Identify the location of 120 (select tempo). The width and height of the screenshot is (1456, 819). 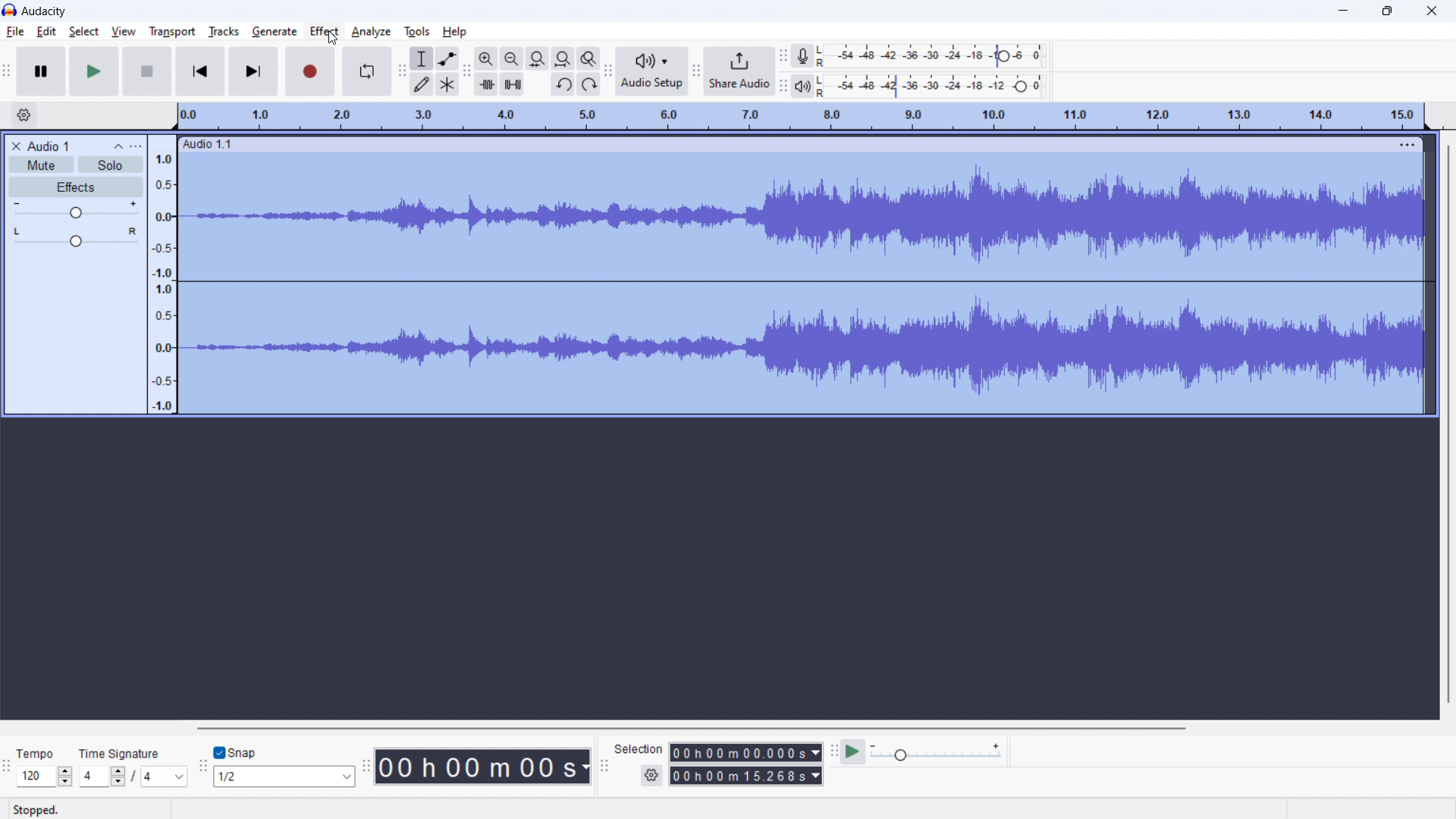
(45, 777).